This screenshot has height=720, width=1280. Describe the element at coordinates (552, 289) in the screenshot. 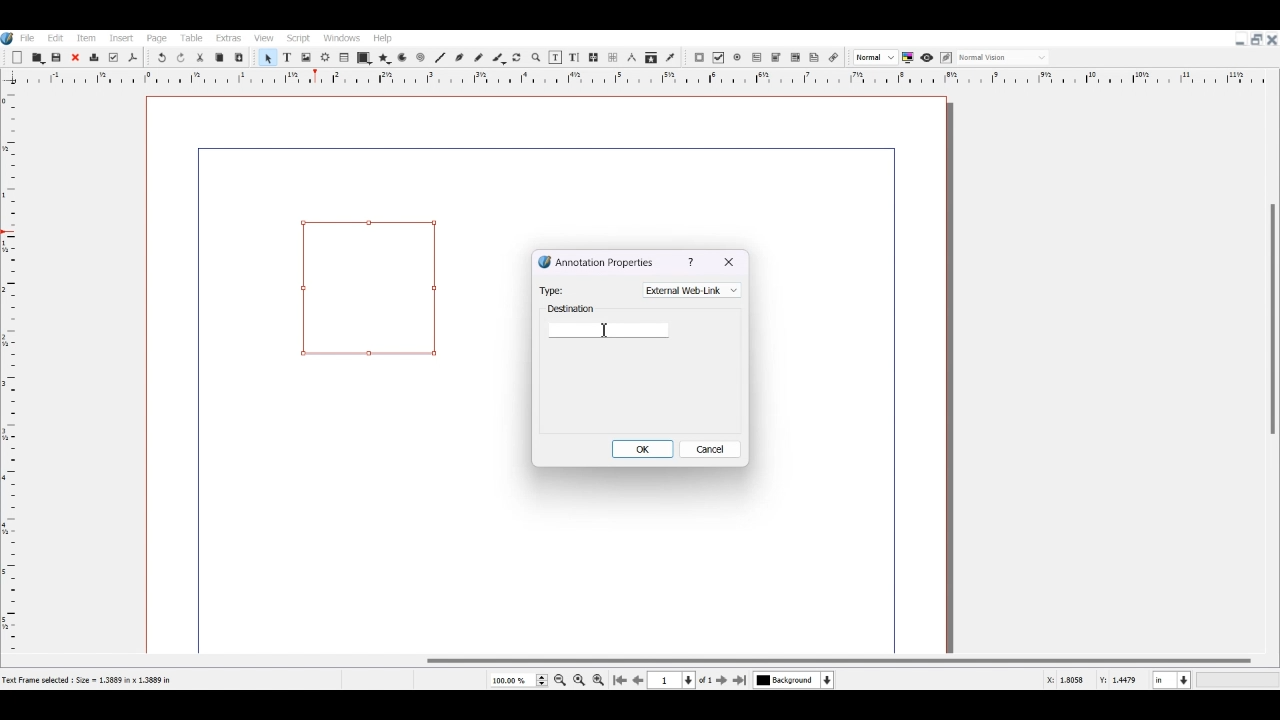

I see `Type` at that location.